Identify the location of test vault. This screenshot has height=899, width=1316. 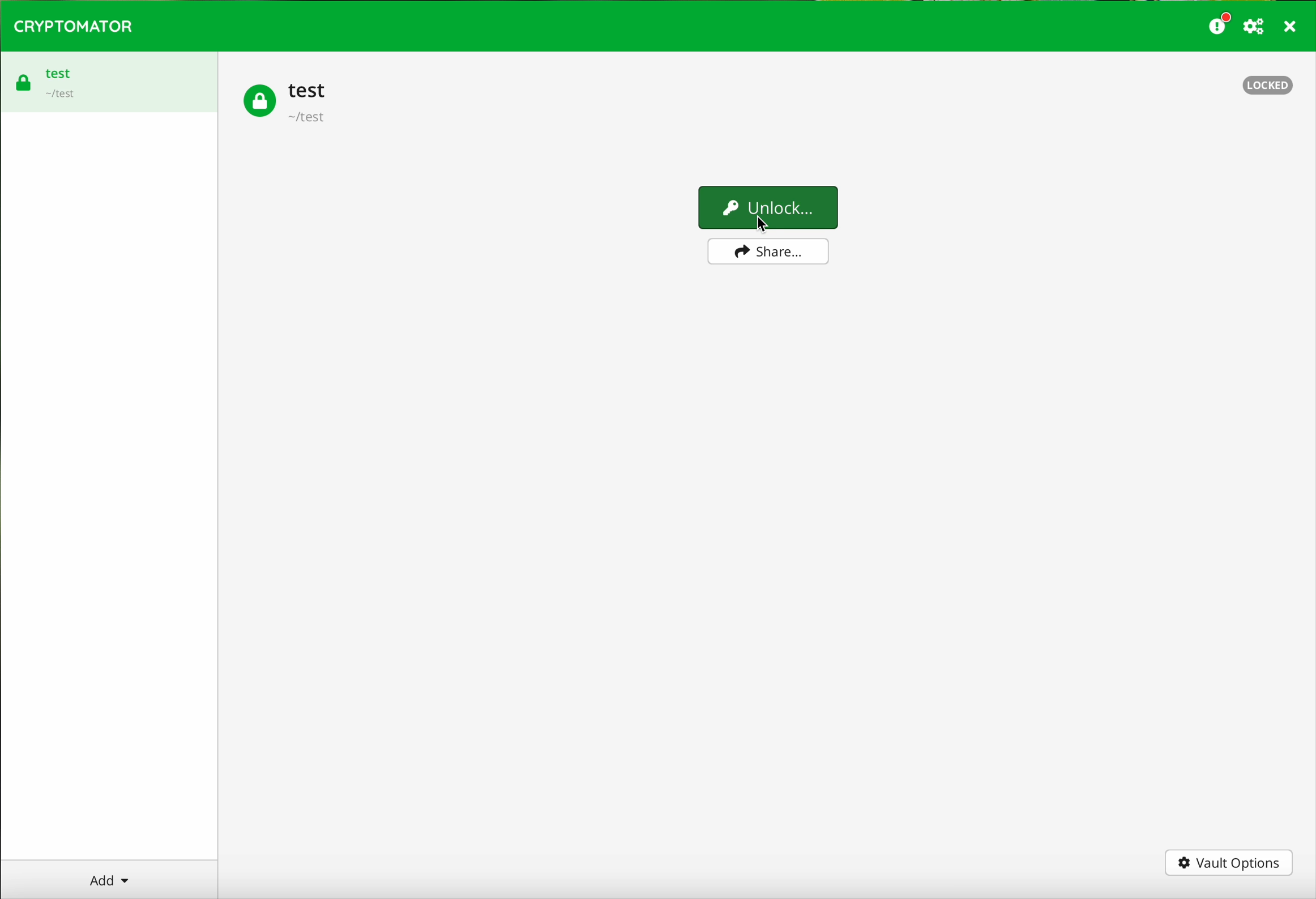
(285, 100).